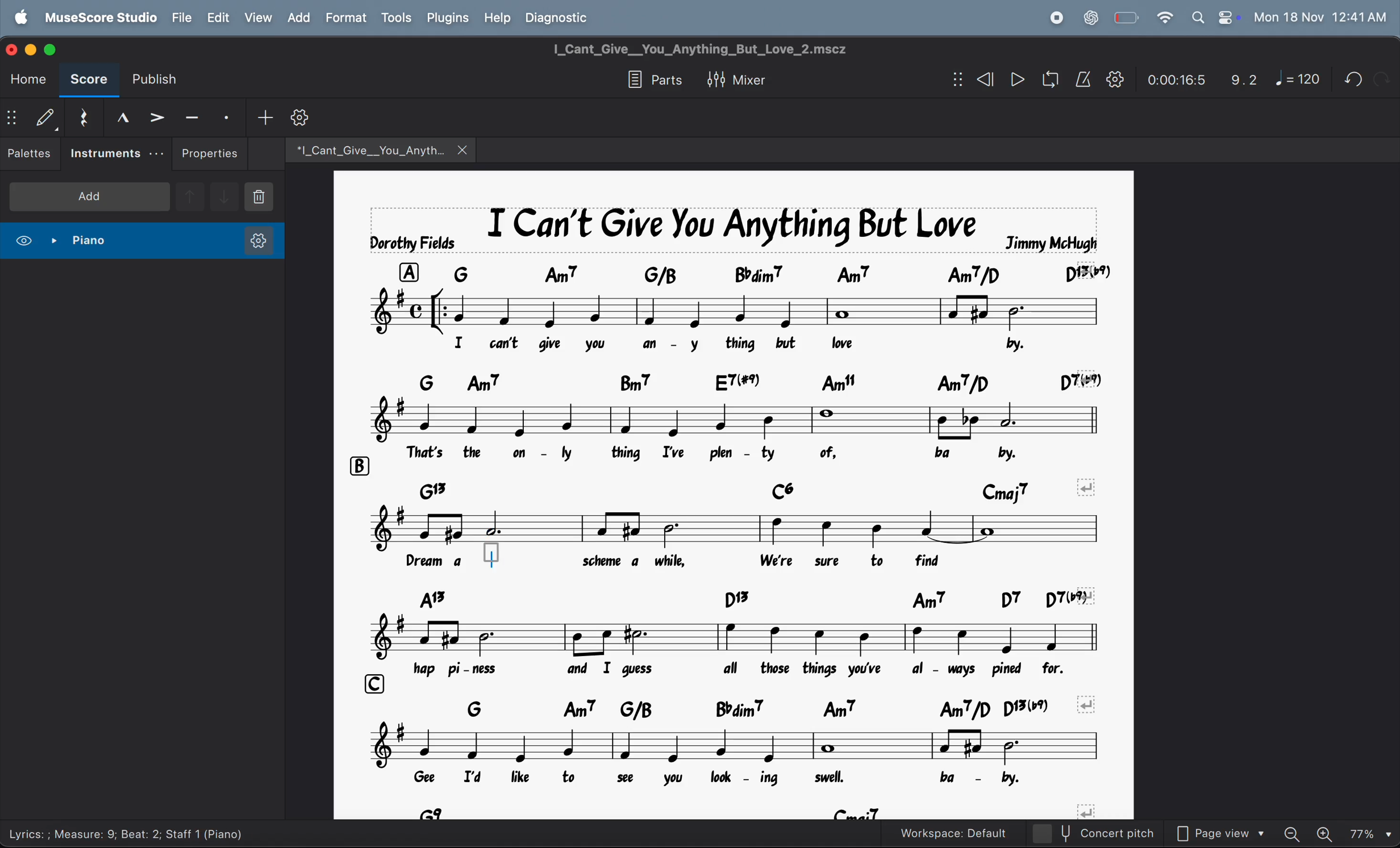  Describe the element at coordinates (465, 149) in the screenshot. I see `close` at that location.